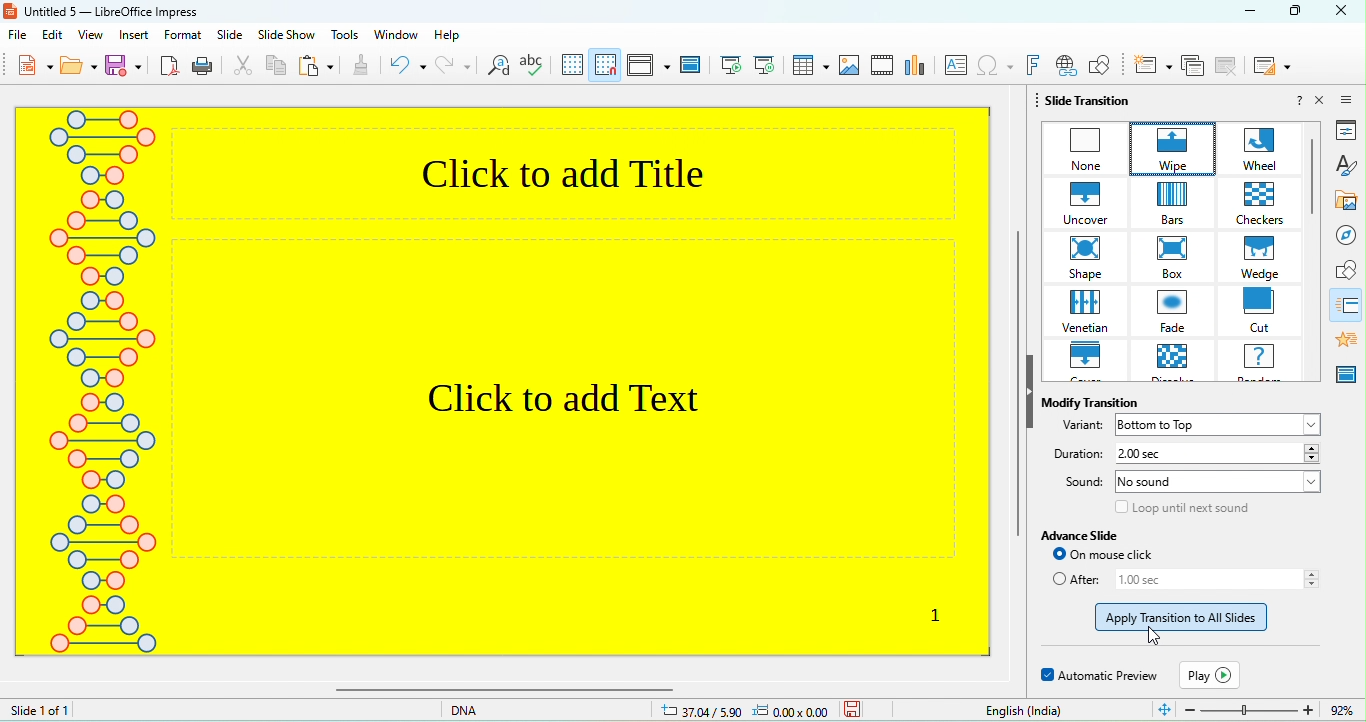 Image resolution: width=1366 pixels, height=722 pixels. Describe the element at coordinates (1147, 68) in the screenshot. I see `new slide` at that location.